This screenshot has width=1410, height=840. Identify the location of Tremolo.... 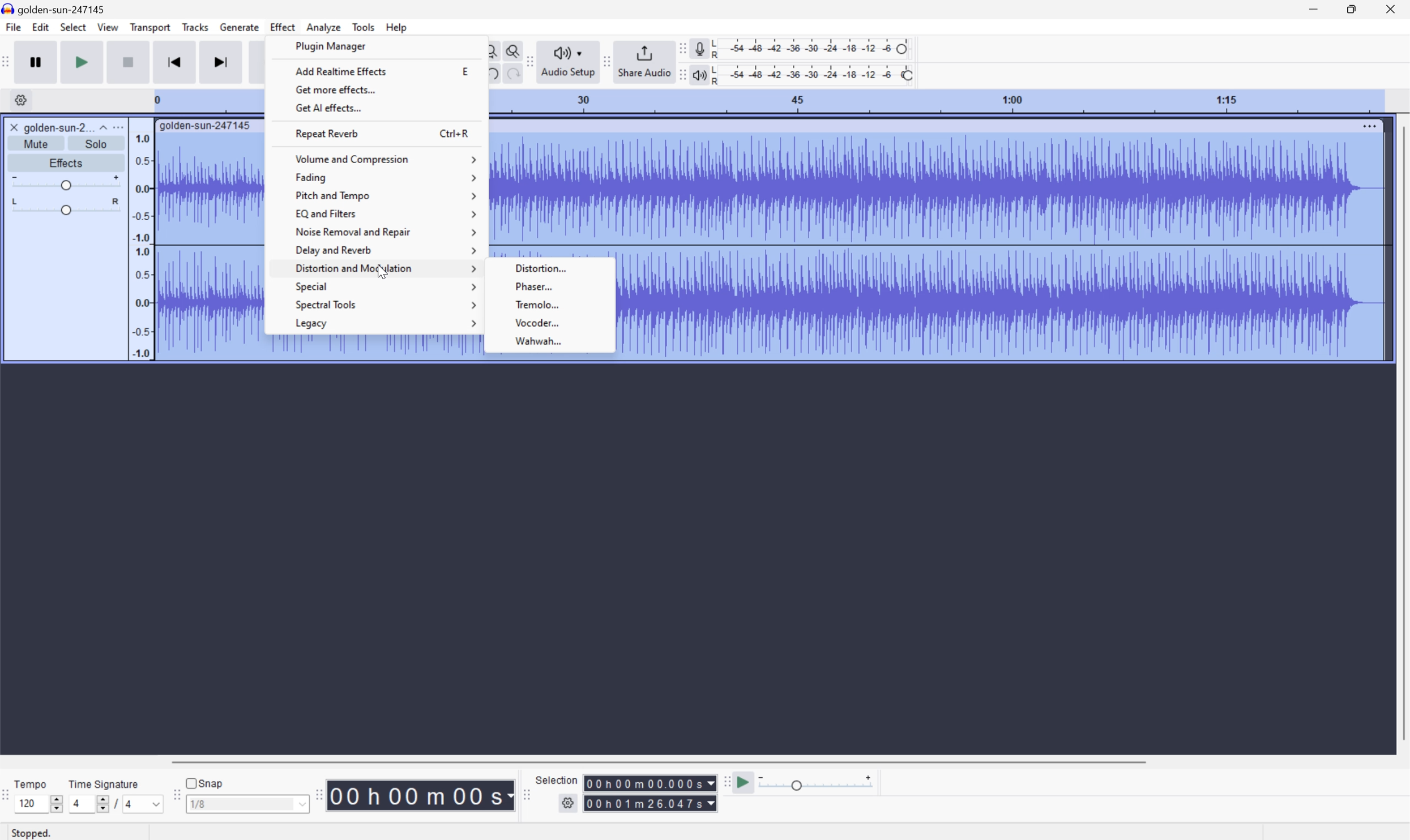
(552, 305).